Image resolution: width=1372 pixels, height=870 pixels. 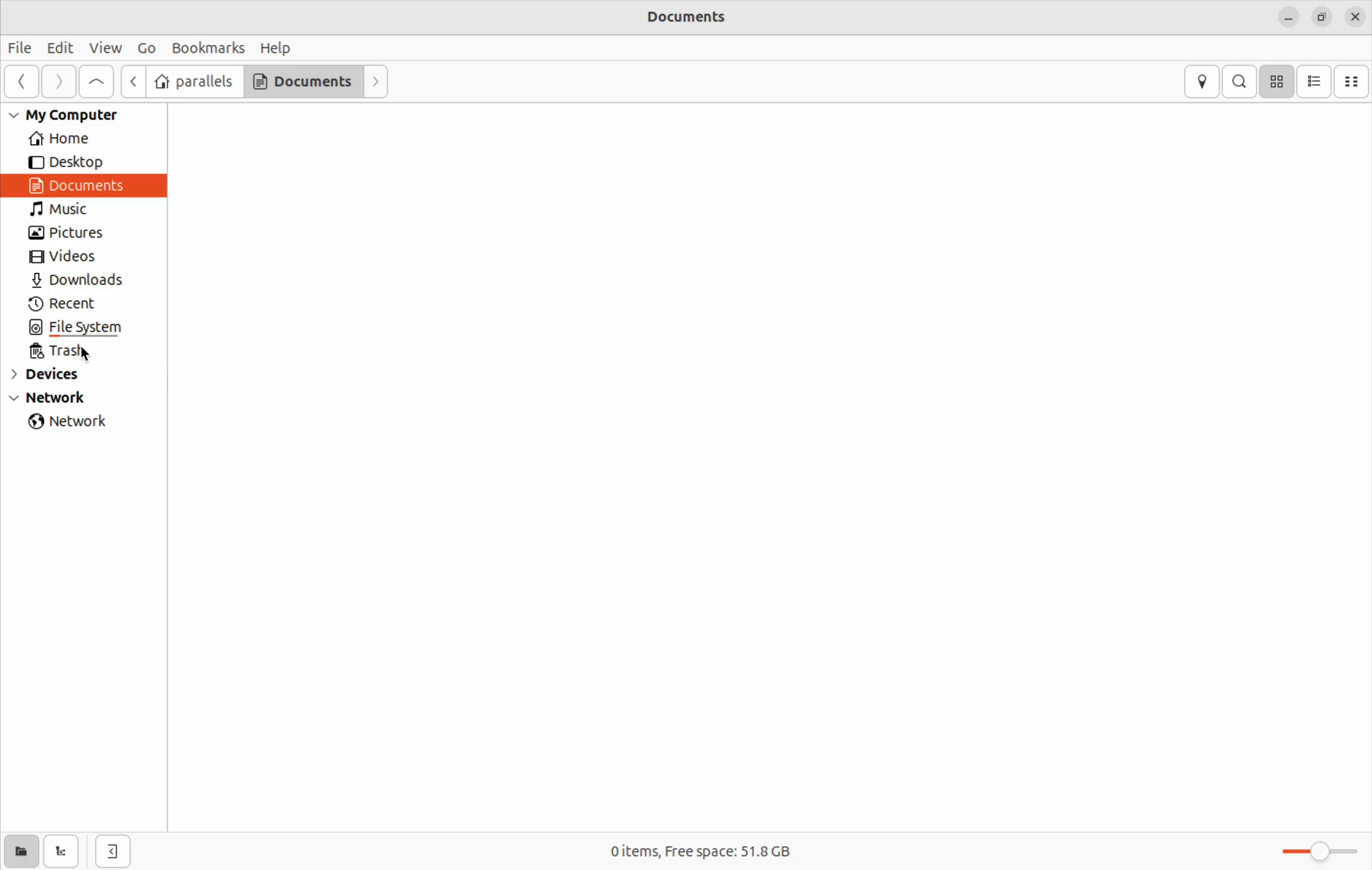 What do you see at coordinates (1354, 81) in the screenshot?
I see `Compact view` at bounding box center [1354, 81].